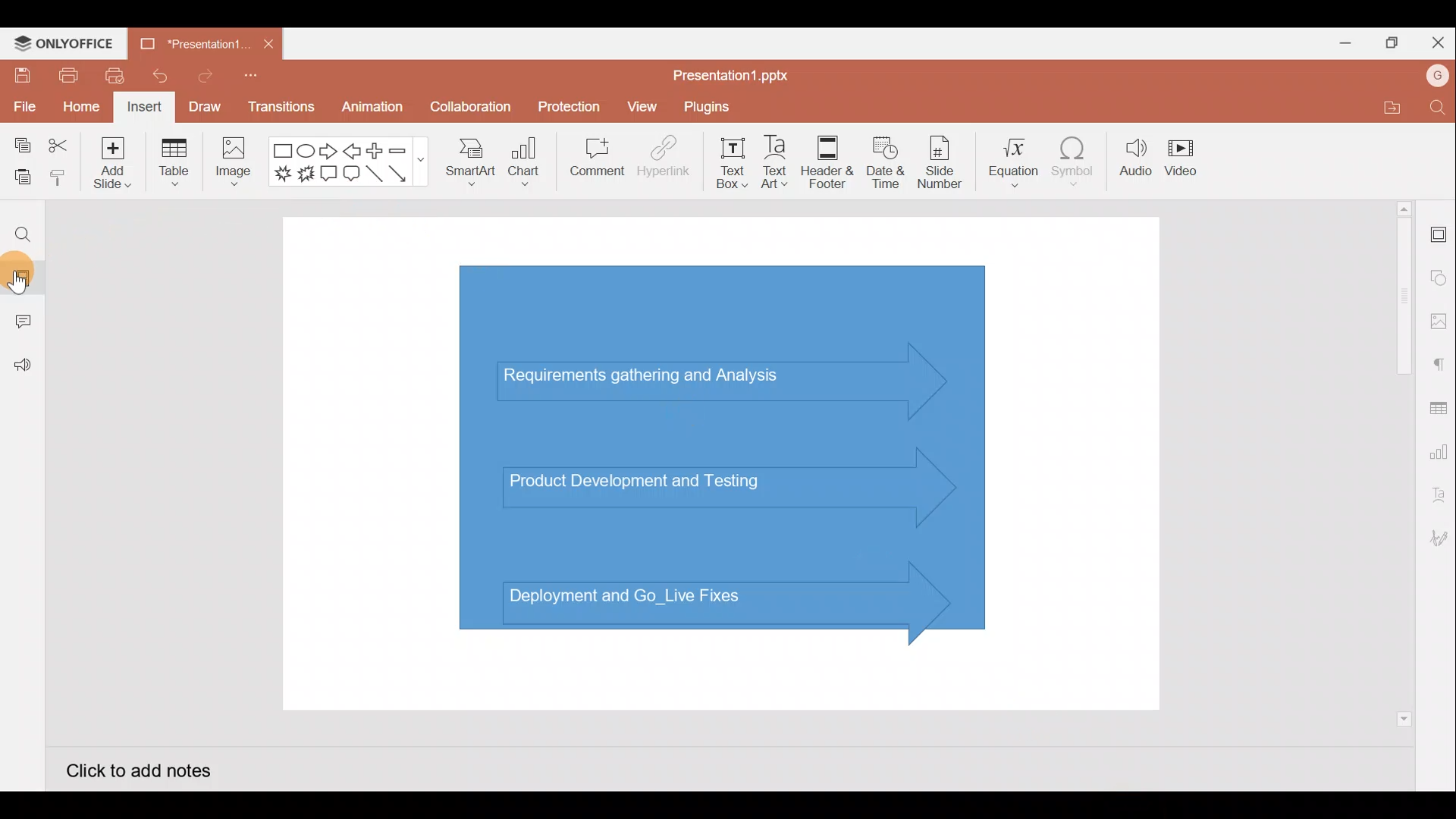 This screenshot has height=819, width=1456. I want to click on Add slide, so click(109, 165).